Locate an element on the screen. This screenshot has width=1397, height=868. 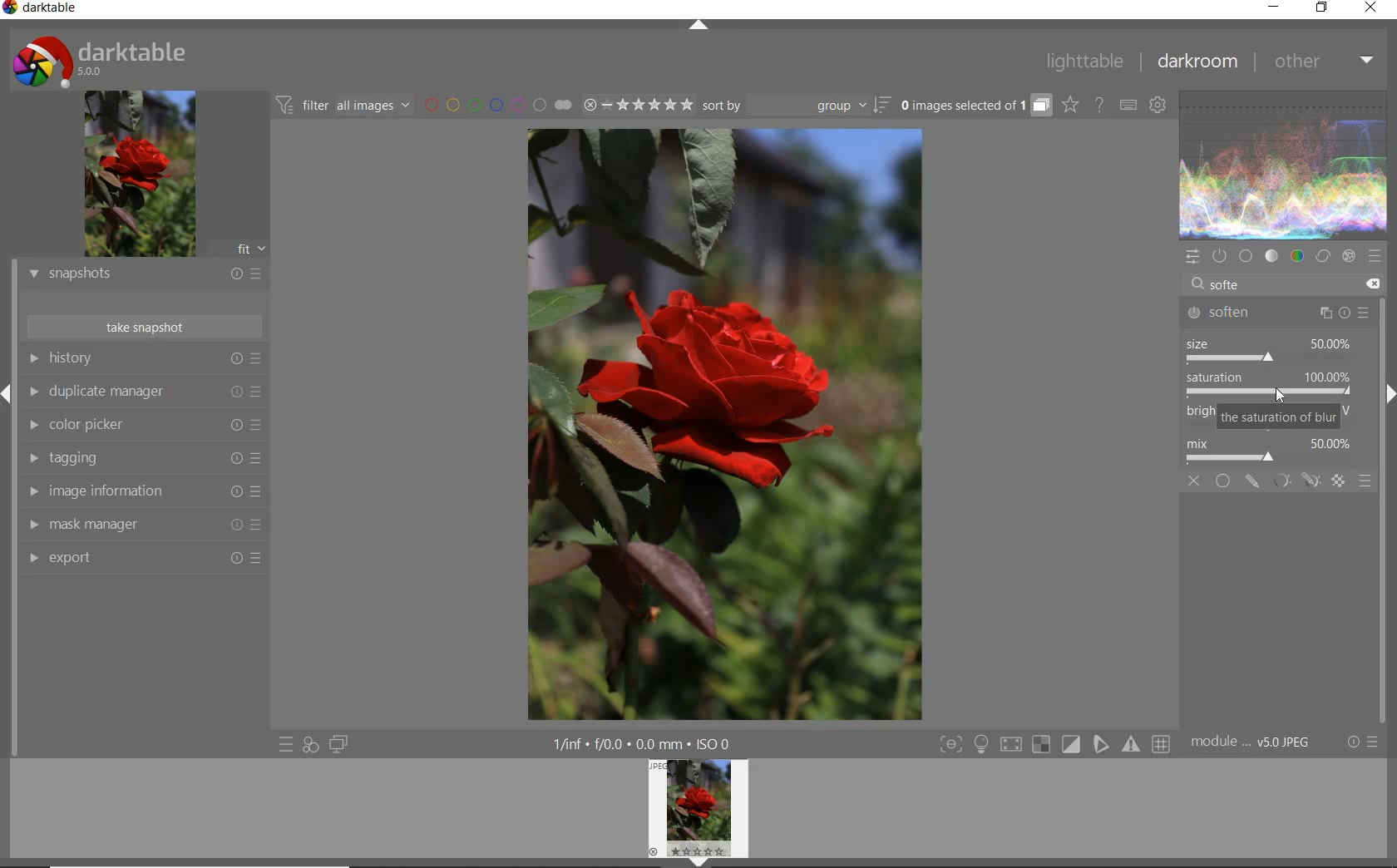
uniformly is located at coordinates (1223, 481).